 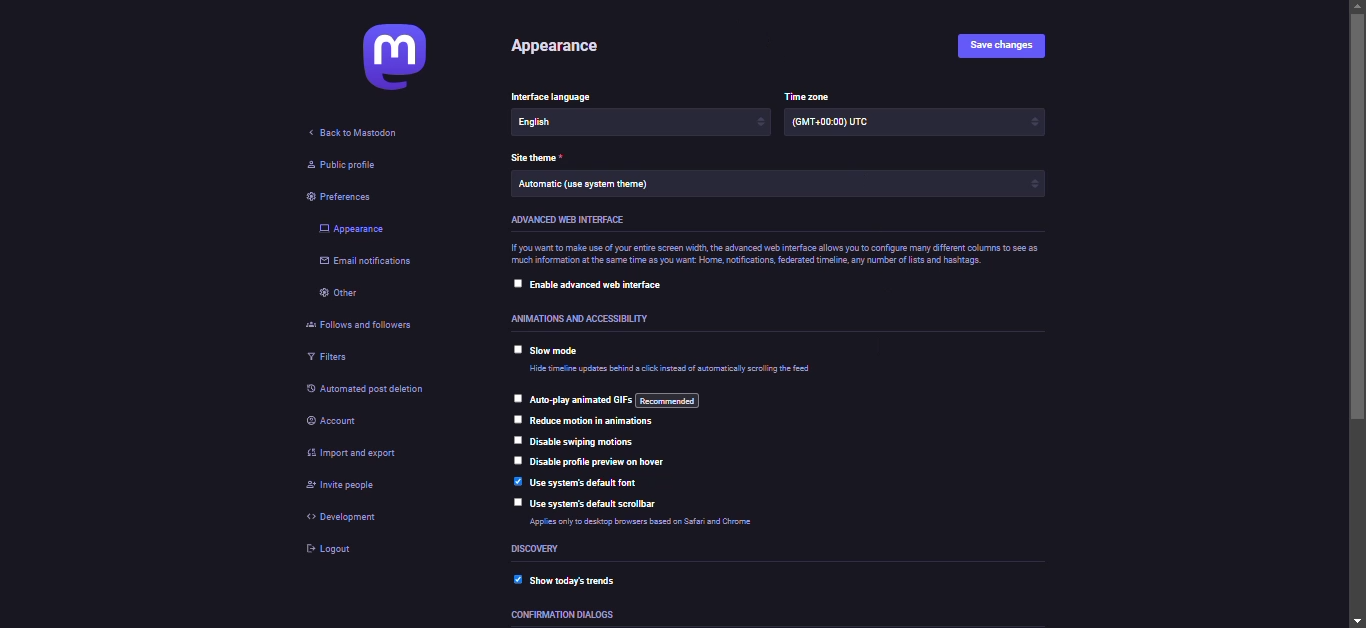 What do you see at coordinates (514, 419) in the screenshot?
I see `click to select` at bounding box center [514, 419].